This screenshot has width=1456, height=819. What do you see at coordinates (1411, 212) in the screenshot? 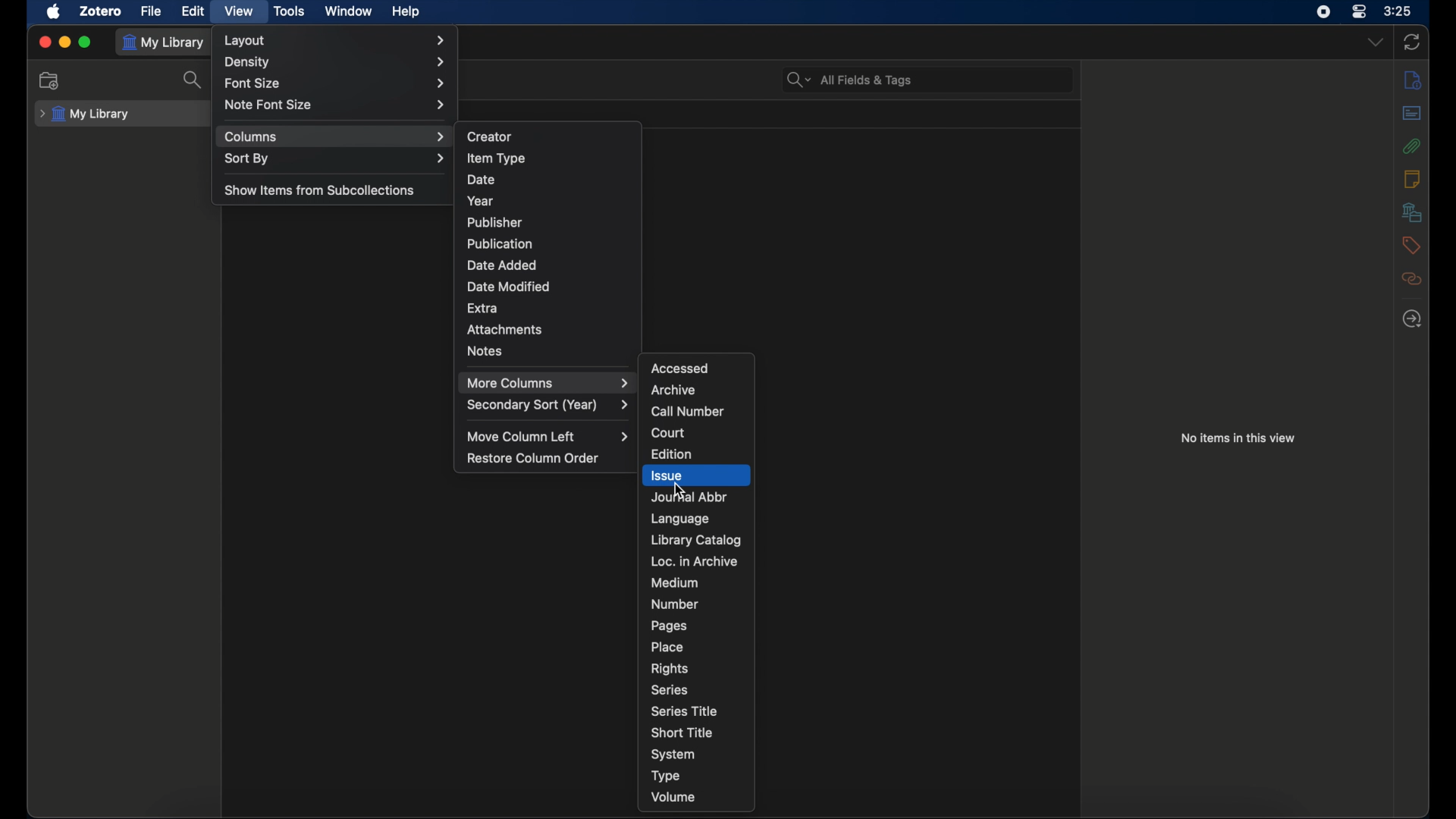
I see `libraries` at bounding box center [1411, 212].